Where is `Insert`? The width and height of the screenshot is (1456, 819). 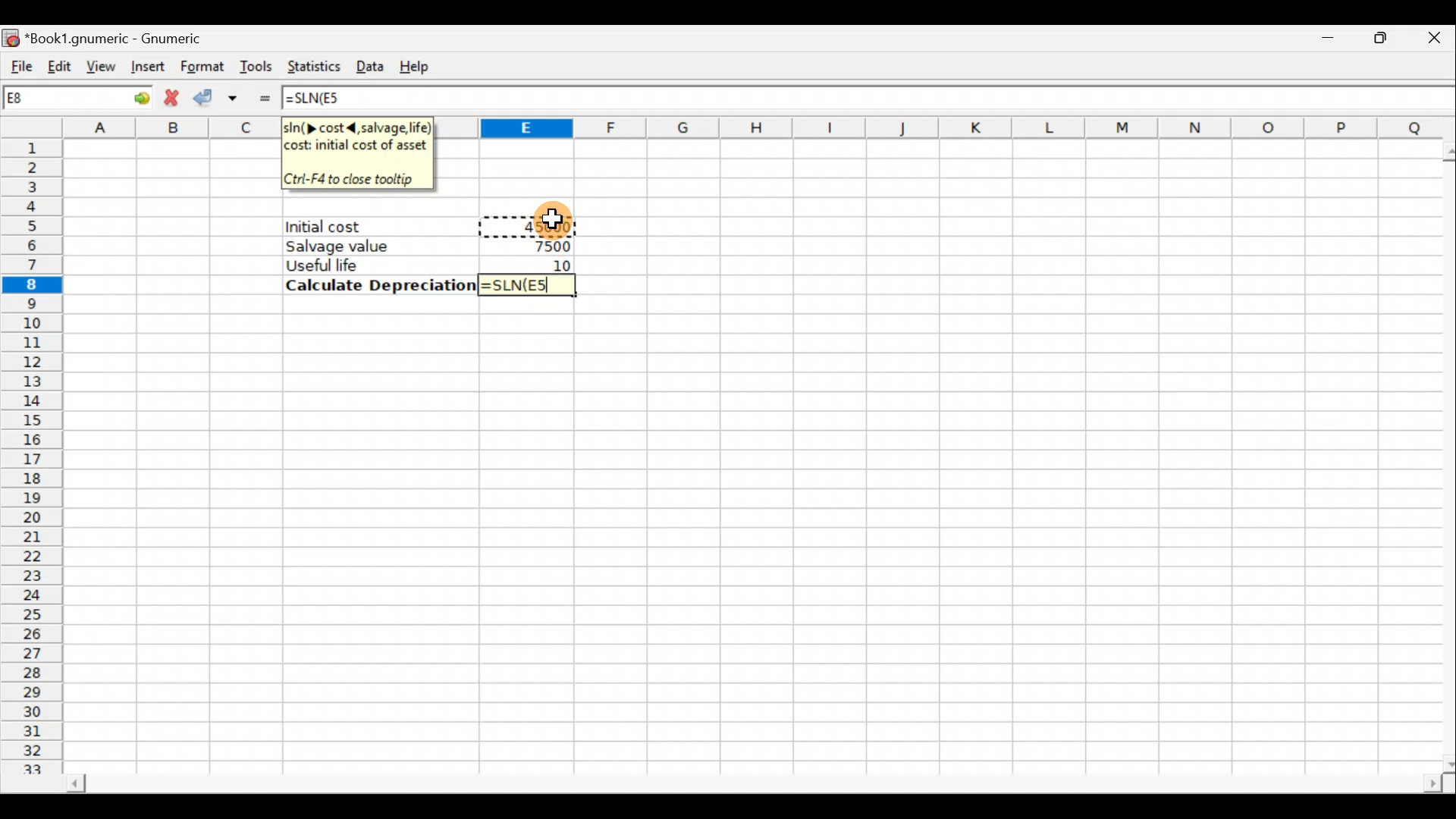 Insert is located at coordinates (146, 67).